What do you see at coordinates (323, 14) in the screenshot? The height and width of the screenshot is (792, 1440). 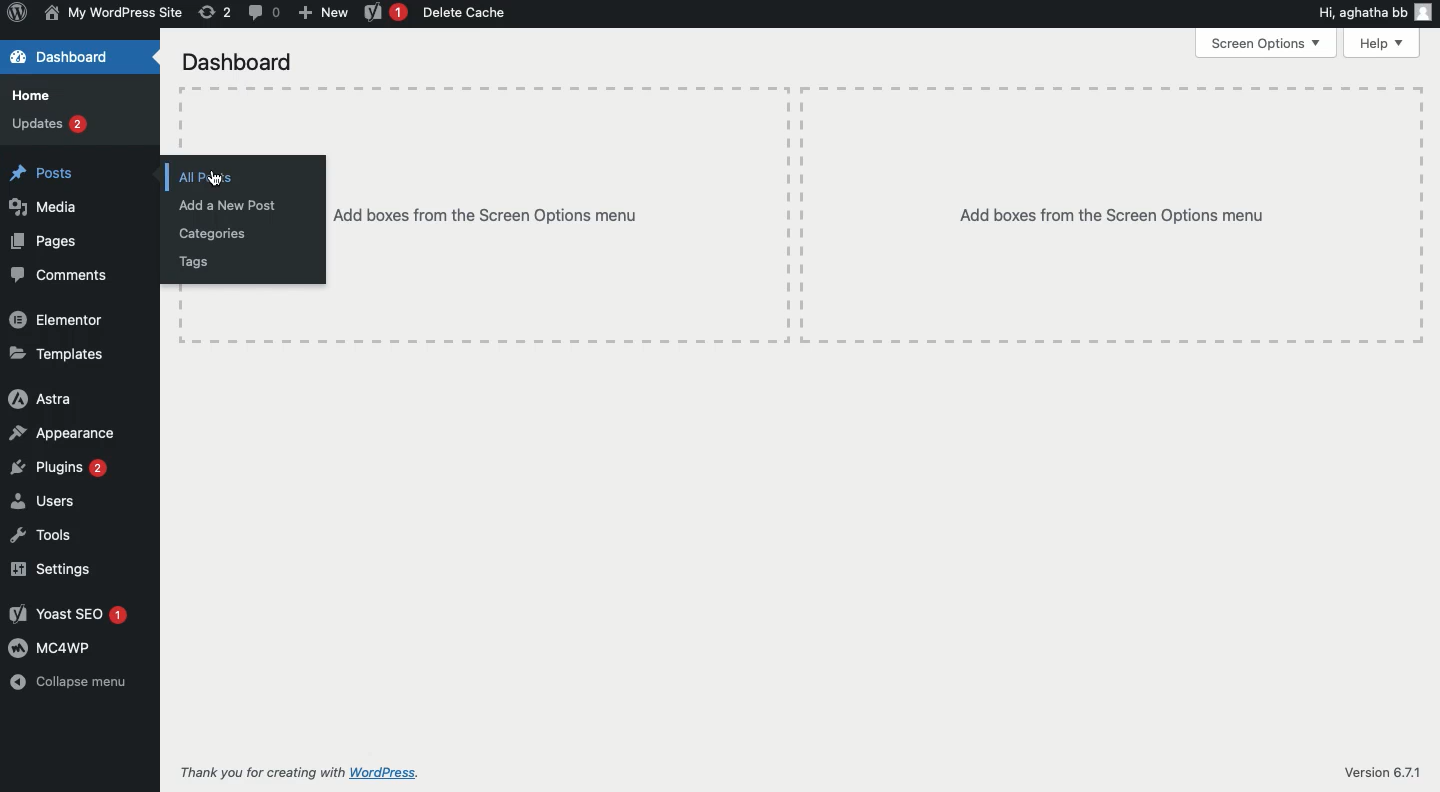 I see `New` at bounding box center [323, 14].